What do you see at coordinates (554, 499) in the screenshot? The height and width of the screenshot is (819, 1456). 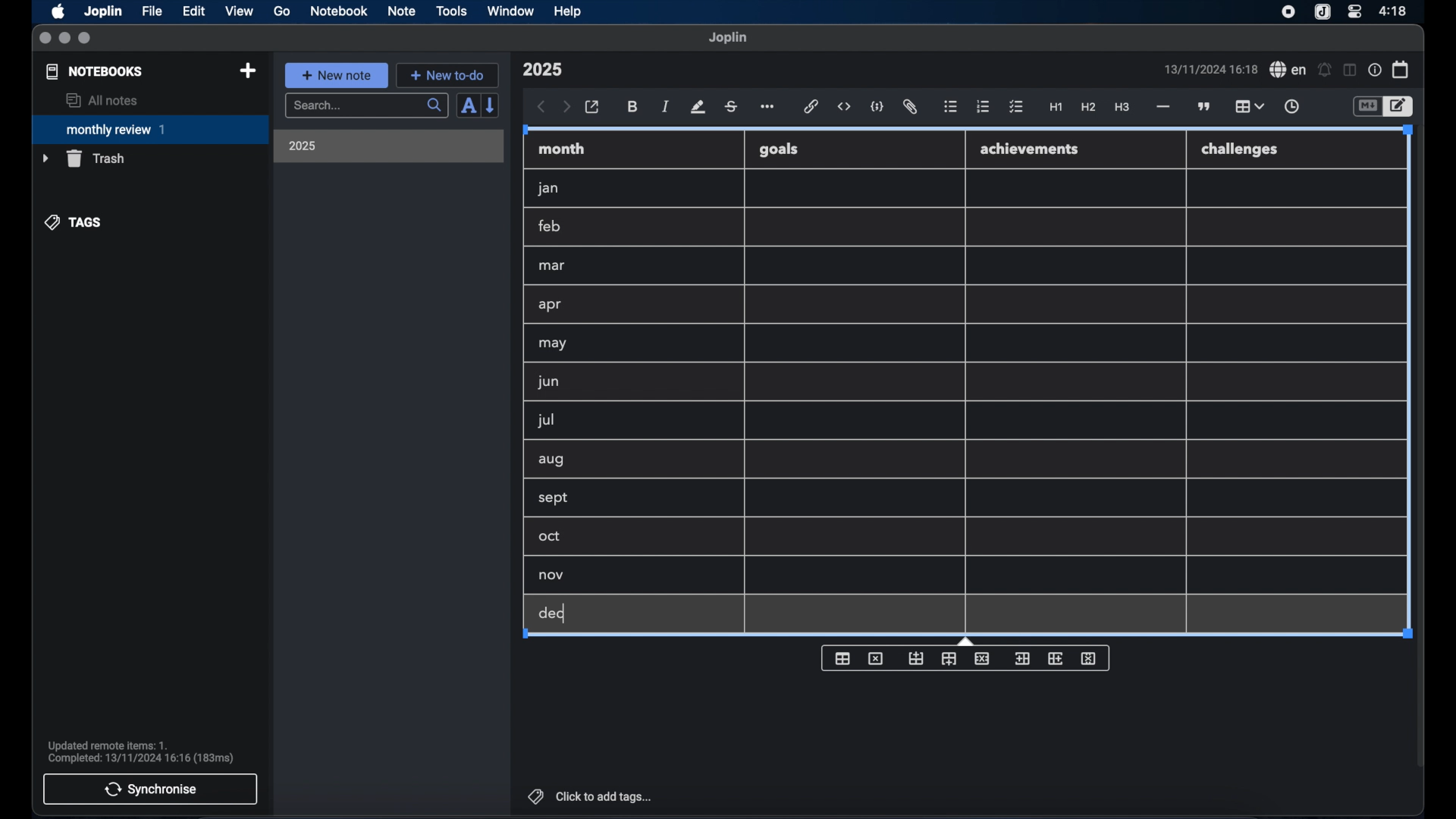 I see `sept` at bounding box center [554, 499].